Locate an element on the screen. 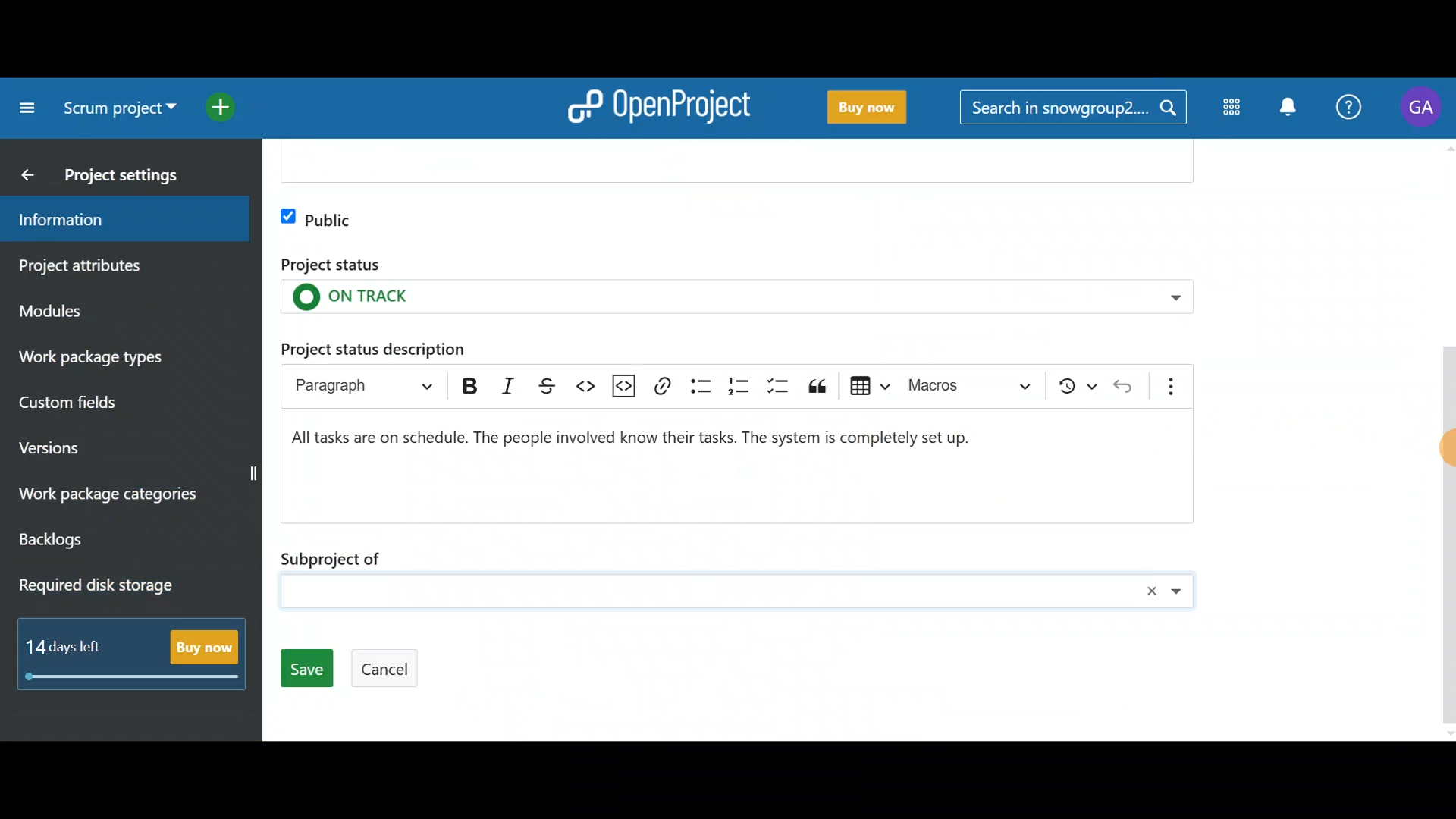 The height and width of the screenshot is (819, 1456). Show local modifications is located at coordinates (1078, 387).